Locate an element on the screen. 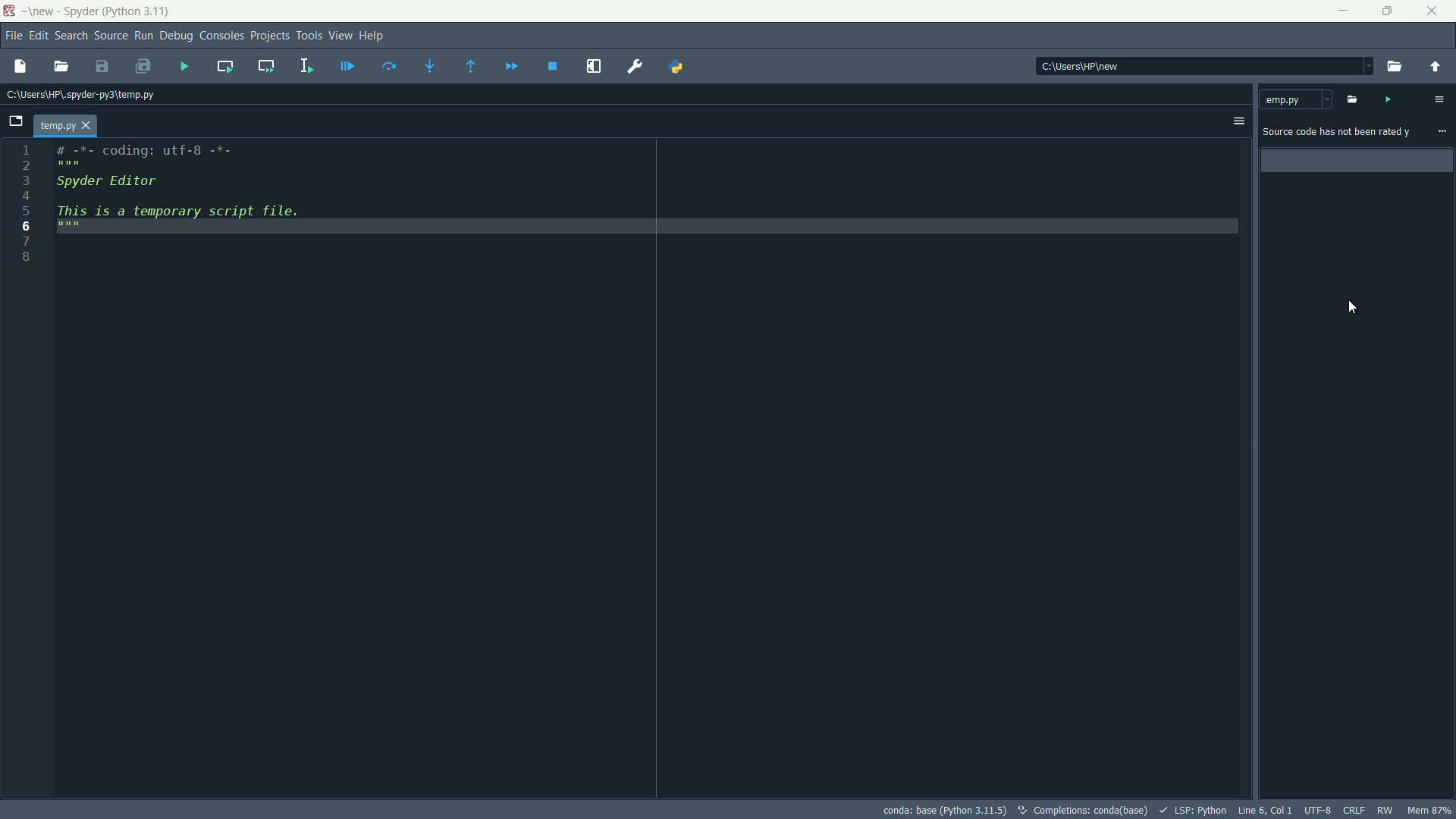 Image resolution: width=1456 pixels, height=819 pixels. app icon is located at coordinates (11, 12).